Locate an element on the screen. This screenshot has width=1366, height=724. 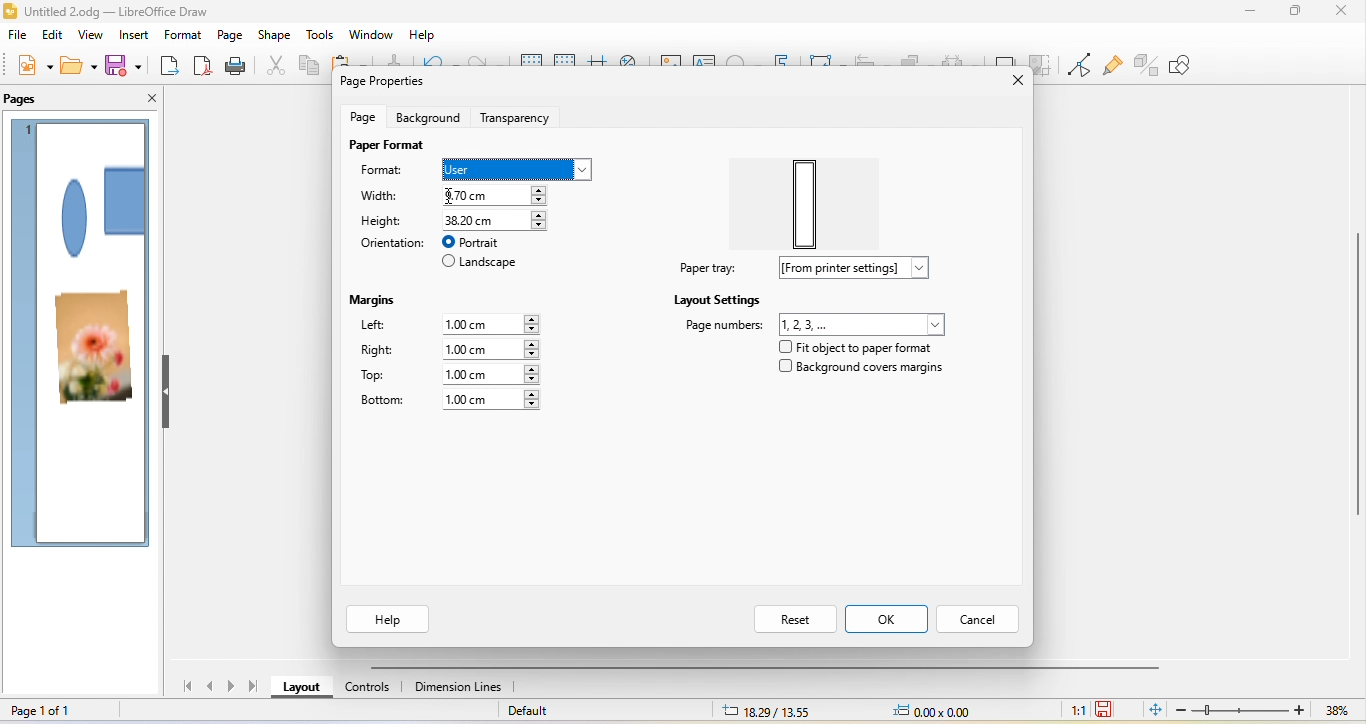
ok is located at coordinates (892, 619).